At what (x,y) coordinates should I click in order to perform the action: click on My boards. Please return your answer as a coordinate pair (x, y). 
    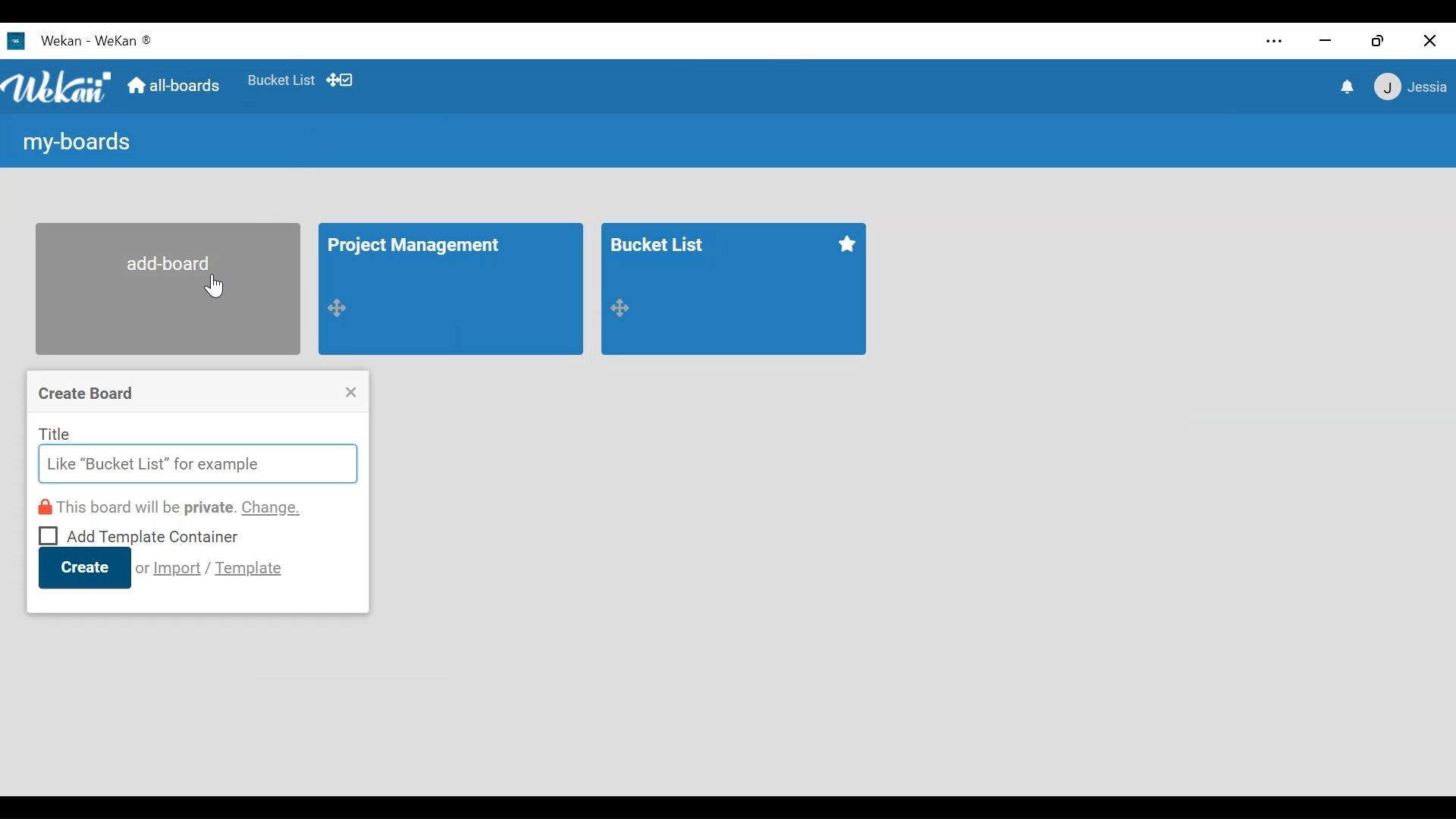
    Looking at the image, I should click on (74, 144).